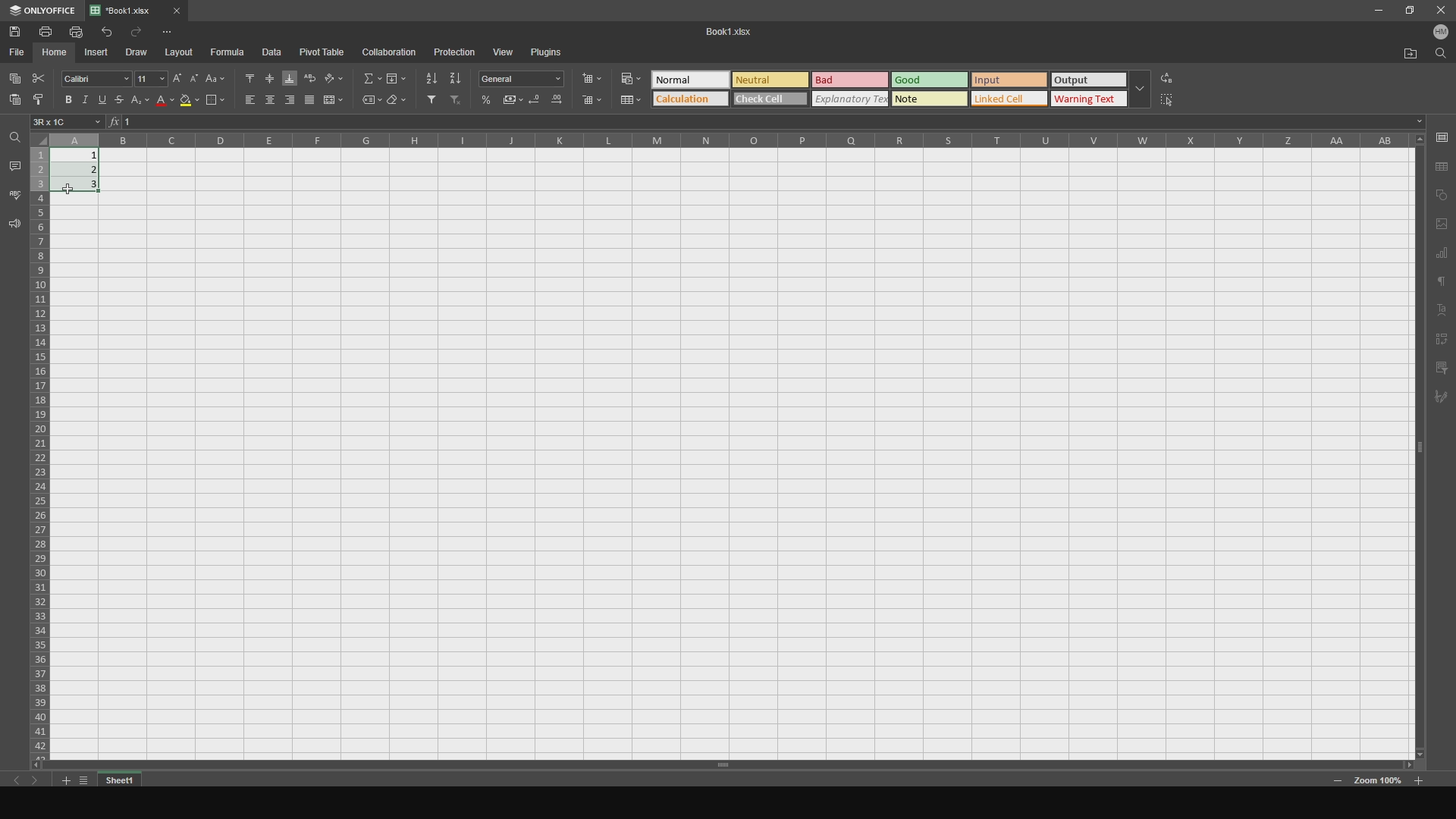  Describe the element at coordinates (13, 226) in the screenshot. I see `feedback and support` at that location.